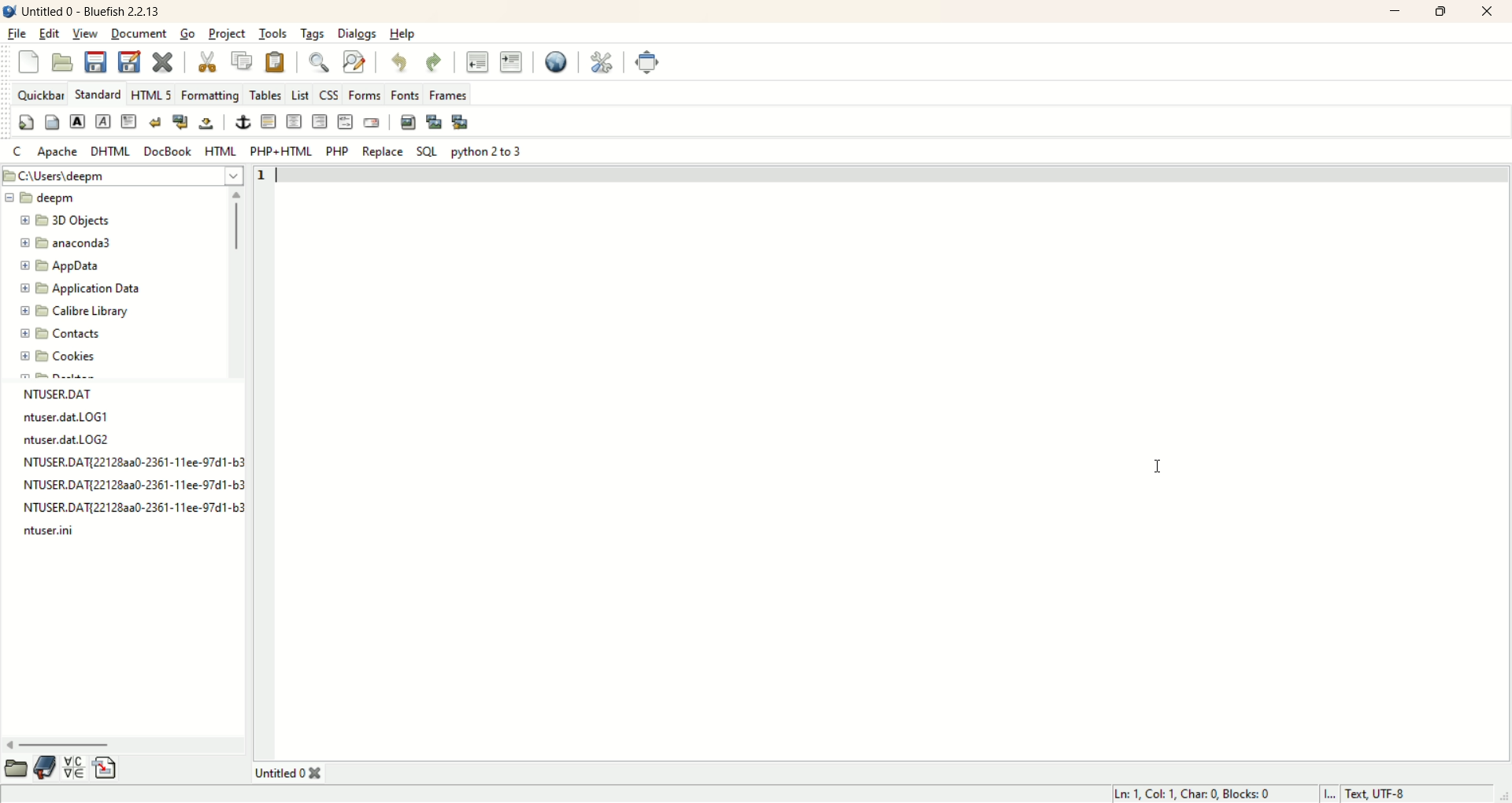 The width and height of the screenshot is (1512, 803). I want to click on projects, so click(225, 35).